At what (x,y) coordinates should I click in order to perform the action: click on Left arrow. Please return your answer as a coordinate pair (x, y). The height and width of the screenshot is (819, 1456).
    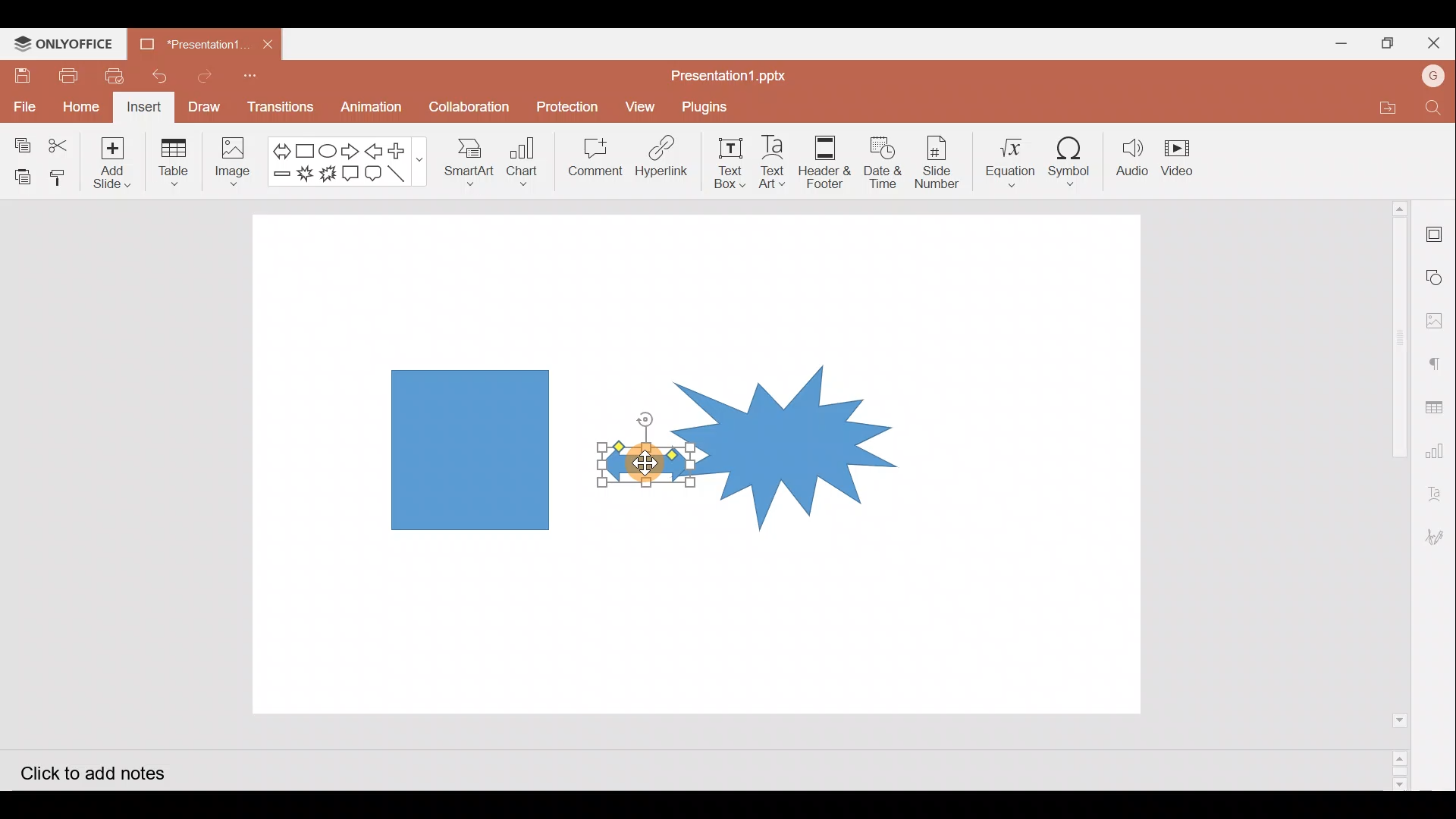
    Looking at the image, I should click on (377, 151).